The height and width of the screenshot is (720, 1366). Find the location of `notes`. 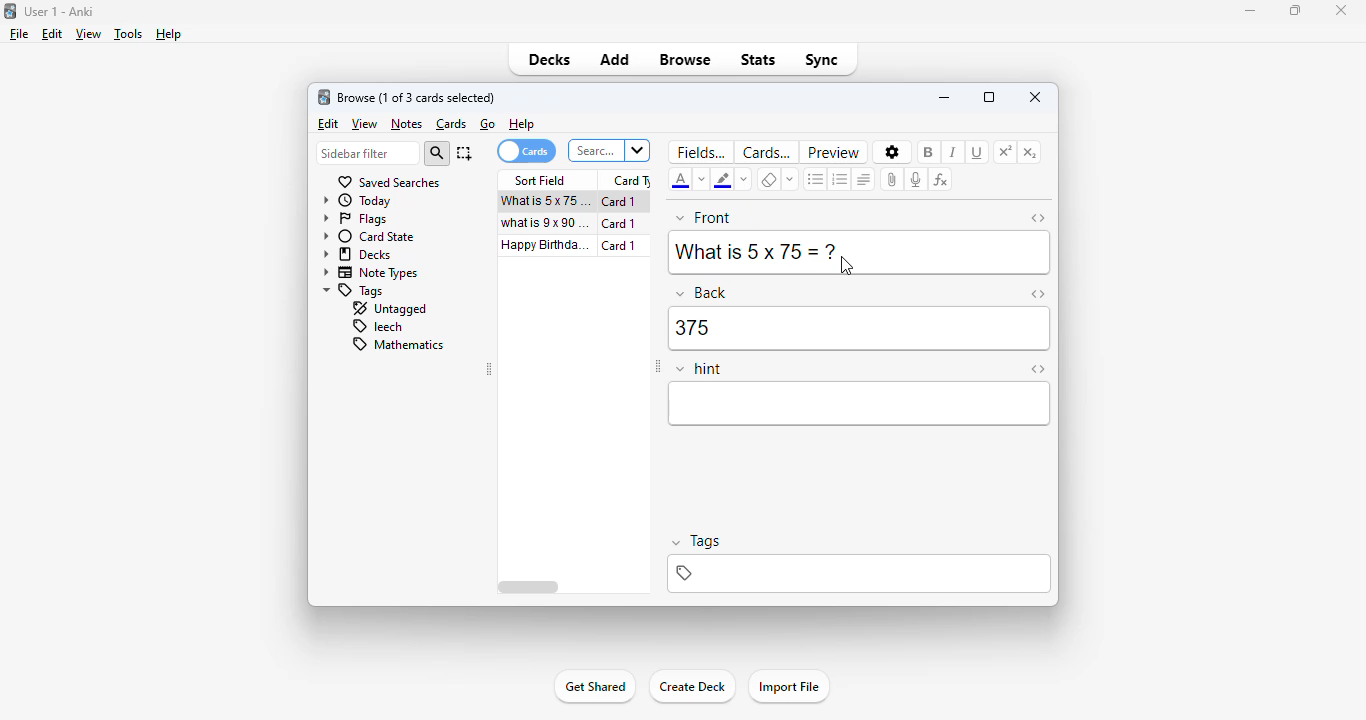

notes is located at coordinates (406, 124).